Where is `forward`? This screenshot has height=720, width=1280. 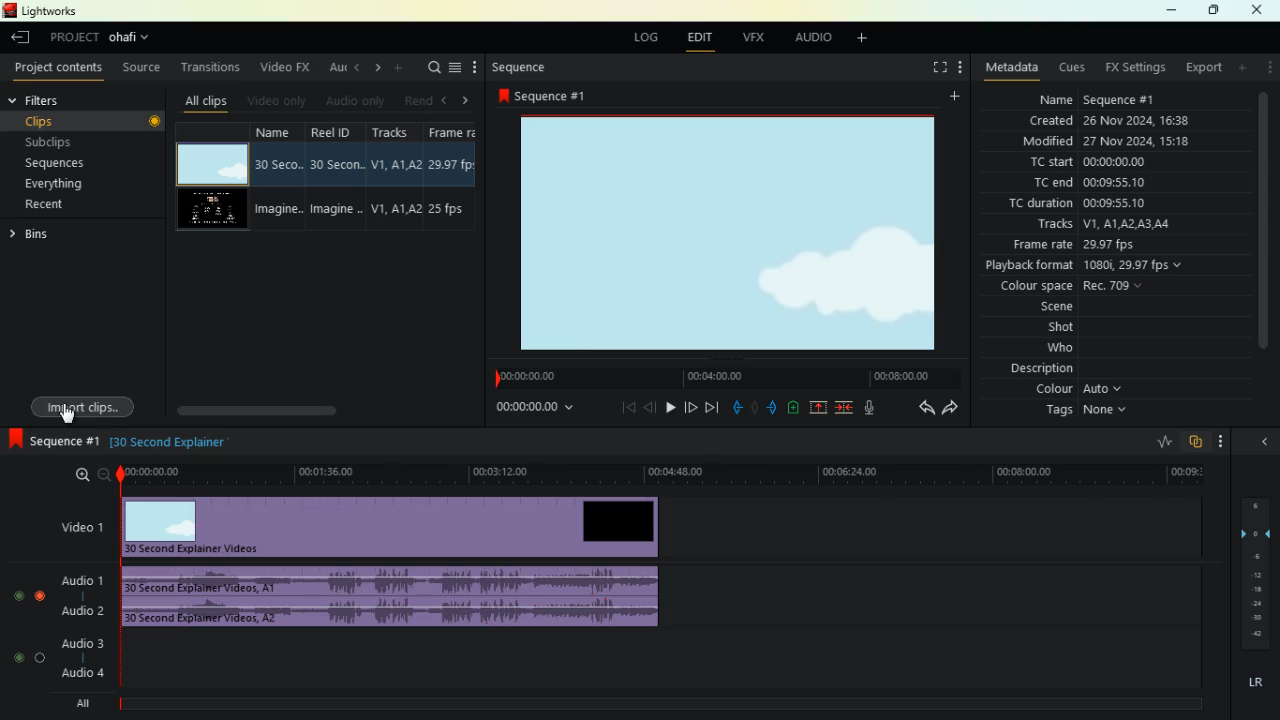
forward is located at coordinates (713, 407).